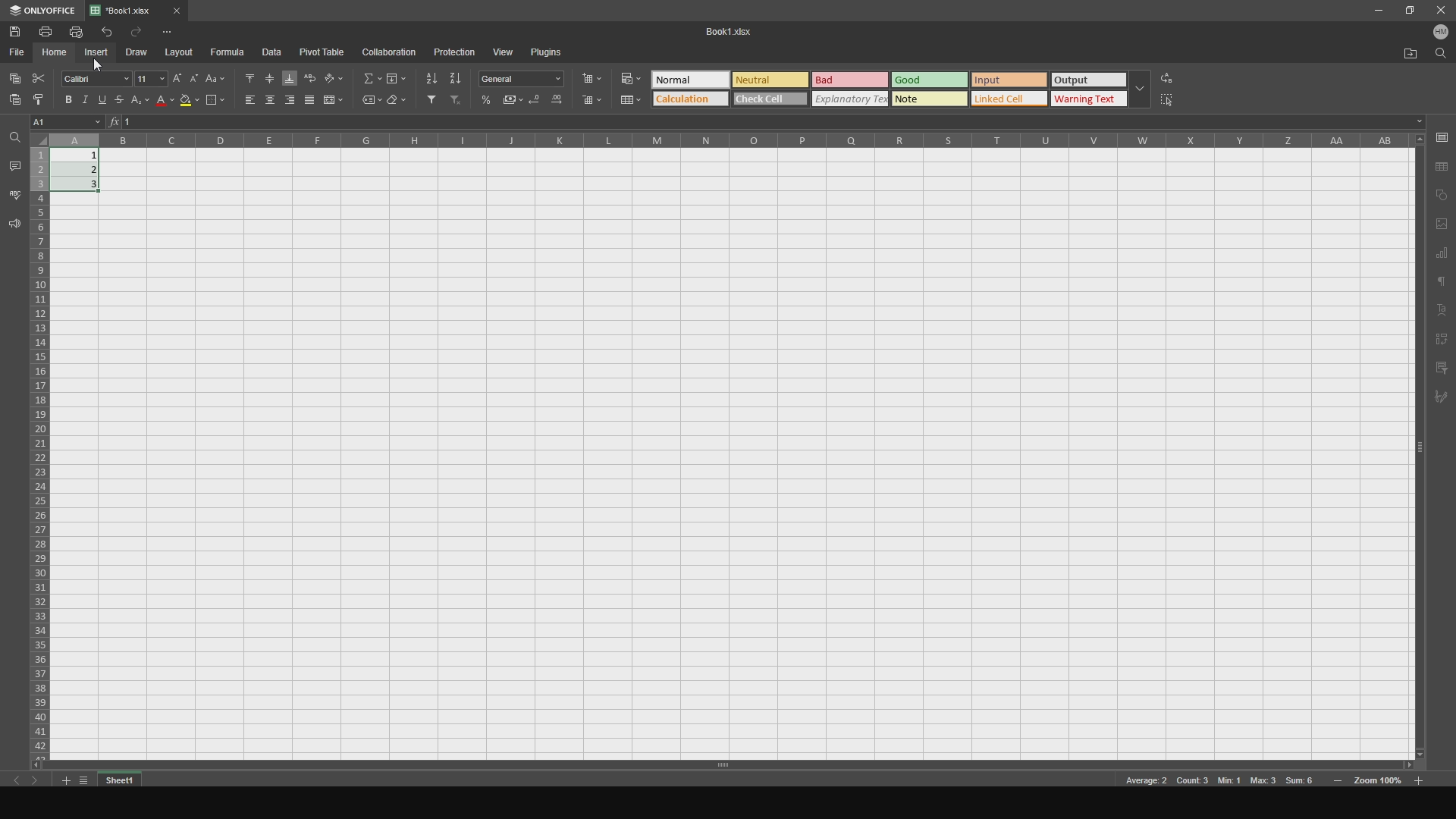 The width and height of the screenshot is (1456, 819). I want to click on copy, so click(1442, 194).